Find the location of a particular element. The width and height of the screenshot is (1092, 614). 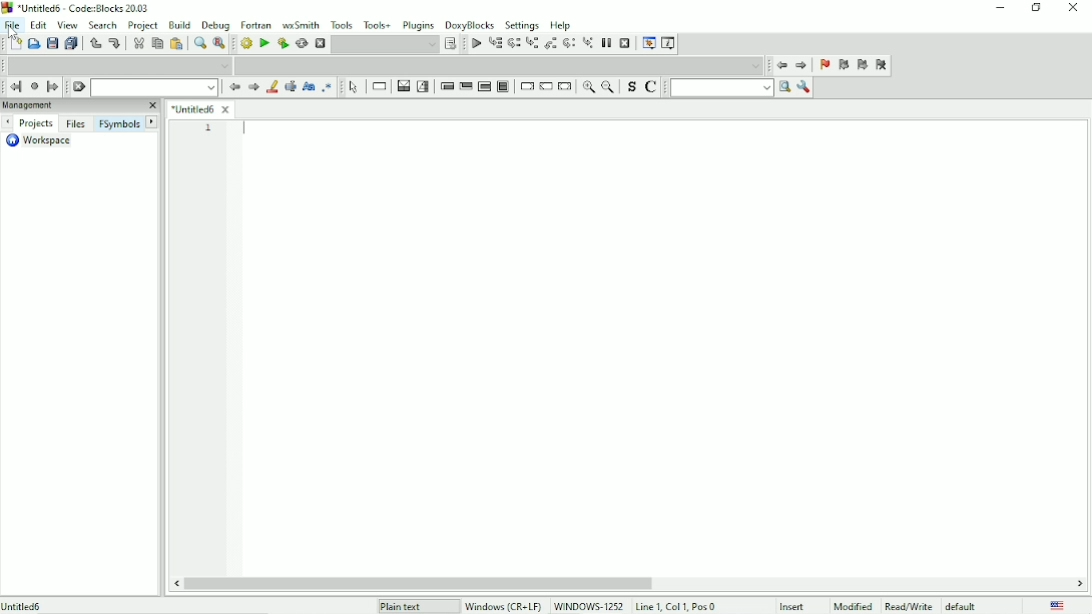

Next is located at coordinates (254, 87).